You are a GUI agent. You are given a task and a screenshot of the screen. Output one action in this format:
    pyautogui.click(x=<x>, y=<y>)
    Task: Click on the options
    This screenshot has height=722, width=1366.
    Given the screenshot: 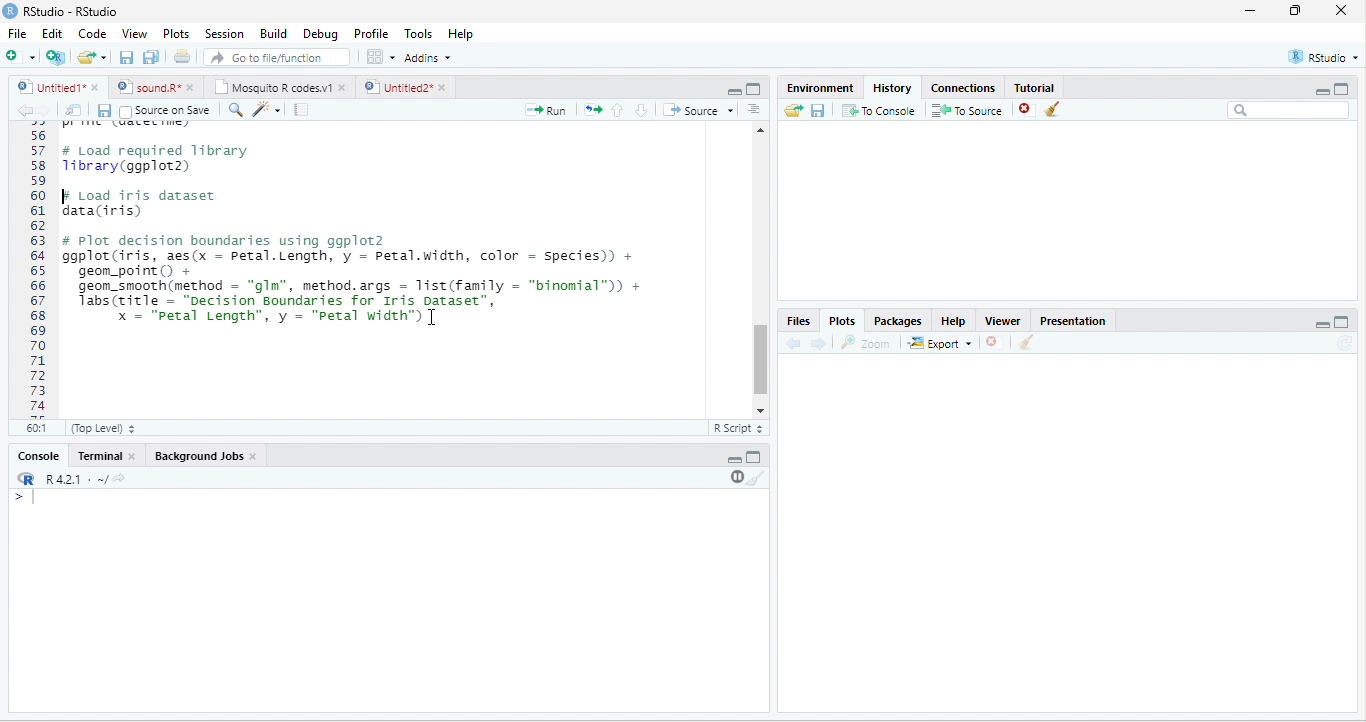 What is the action you would take?
    pyautogui.click(x=381, y=57)
    